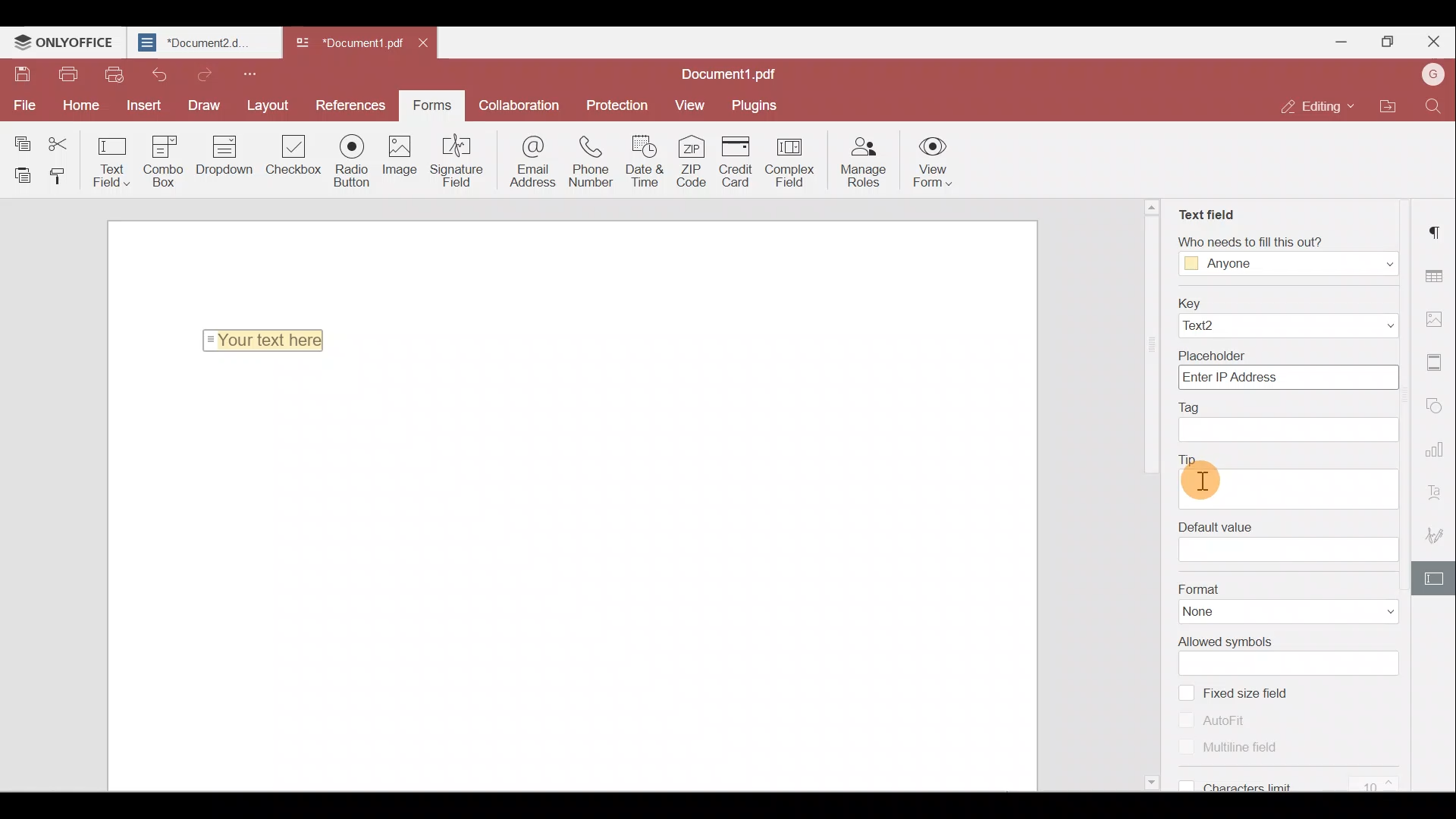  Describe the element at coordinates (199, 105) in the screenshot. I see `Draw` at that location.